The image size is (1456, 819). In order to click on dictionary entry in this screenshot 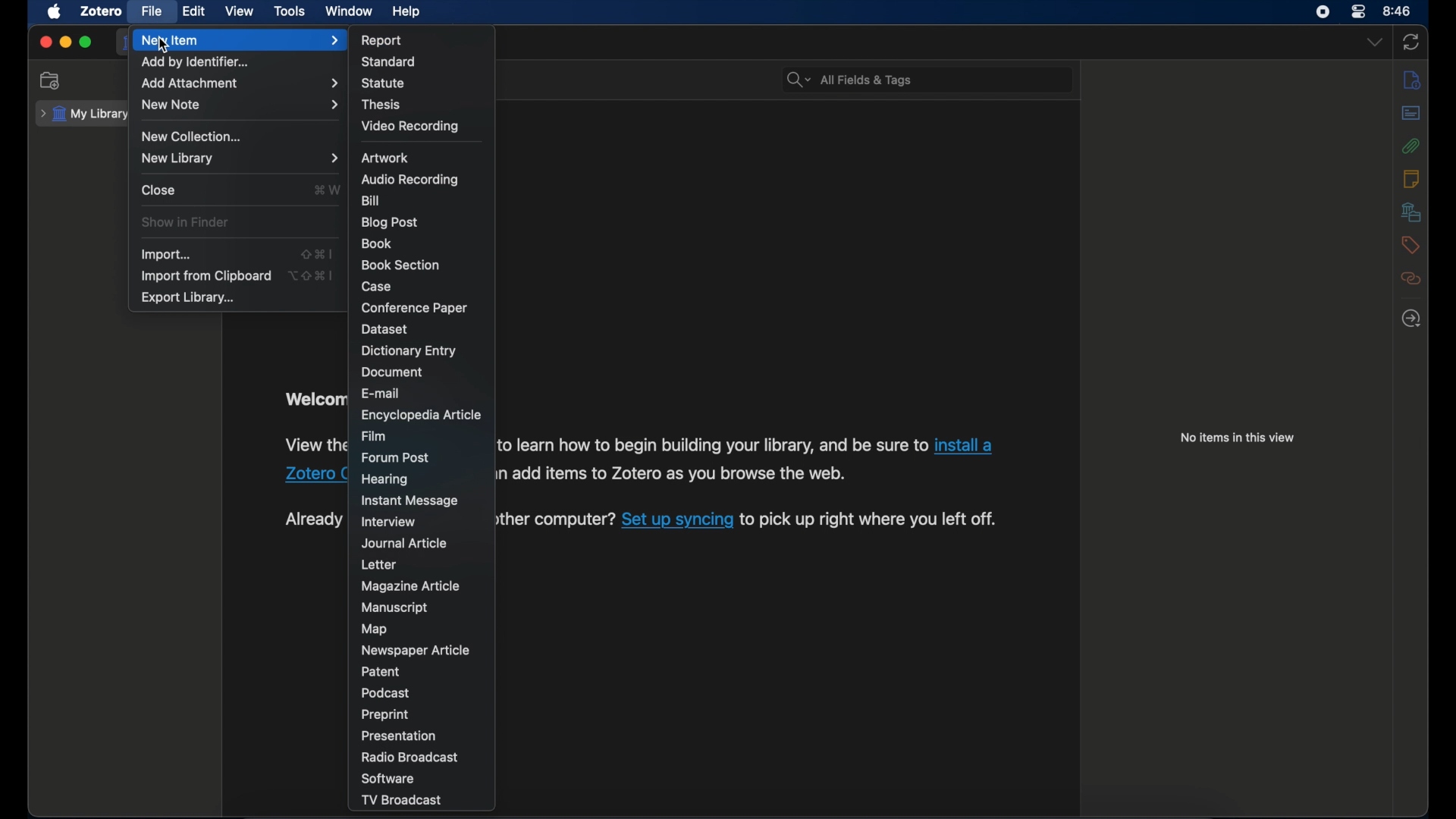, I will do `click(409, 351)`.